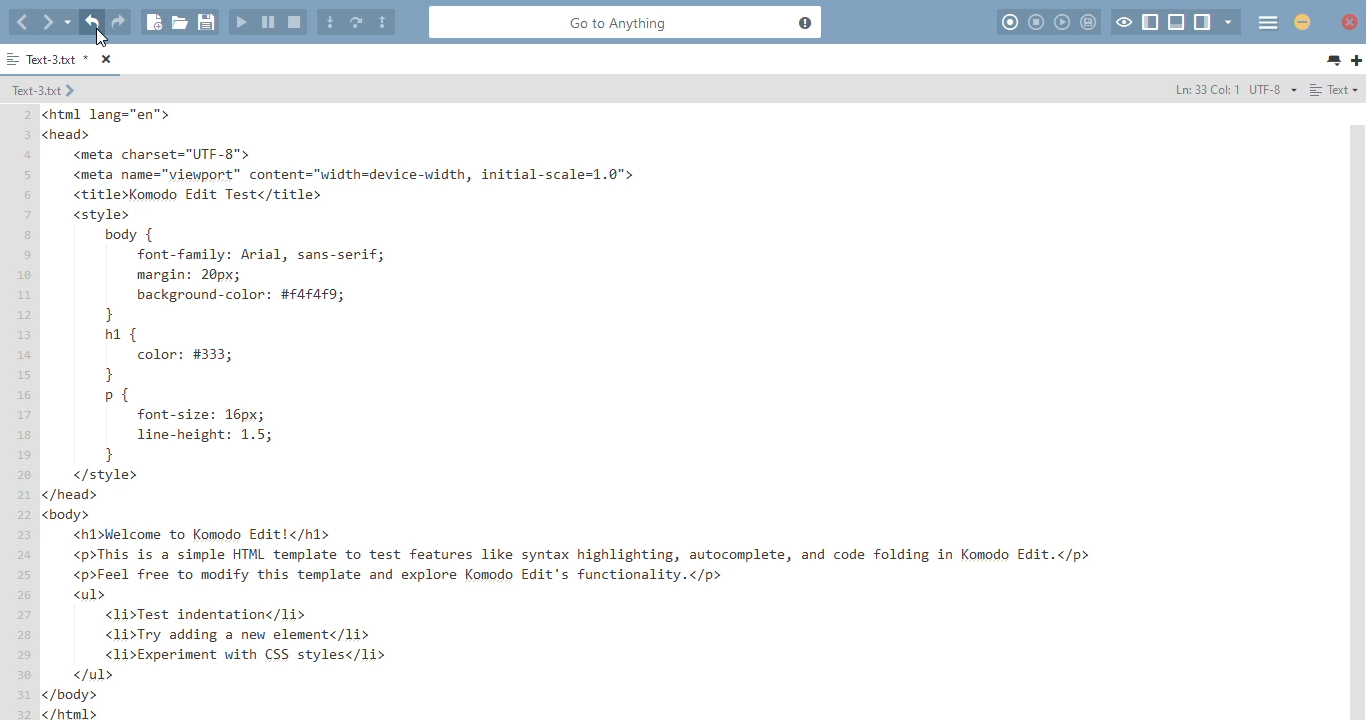  Describe the element at coordinates (1351, 22) in the screenshot. I see `close` at that location.